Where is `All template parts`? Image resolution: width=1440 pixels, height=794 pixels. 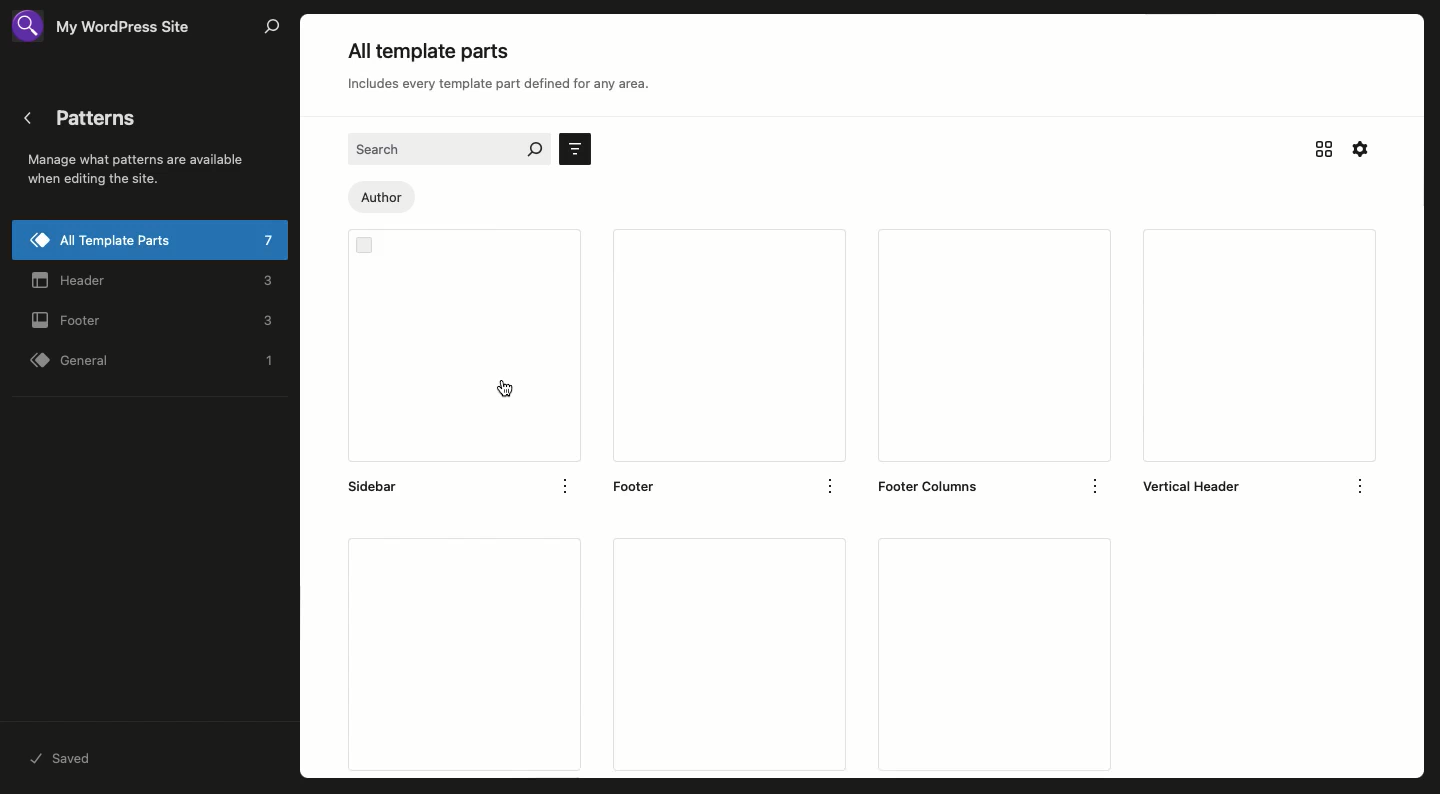
All template parts is located at coordinates (508, 70).